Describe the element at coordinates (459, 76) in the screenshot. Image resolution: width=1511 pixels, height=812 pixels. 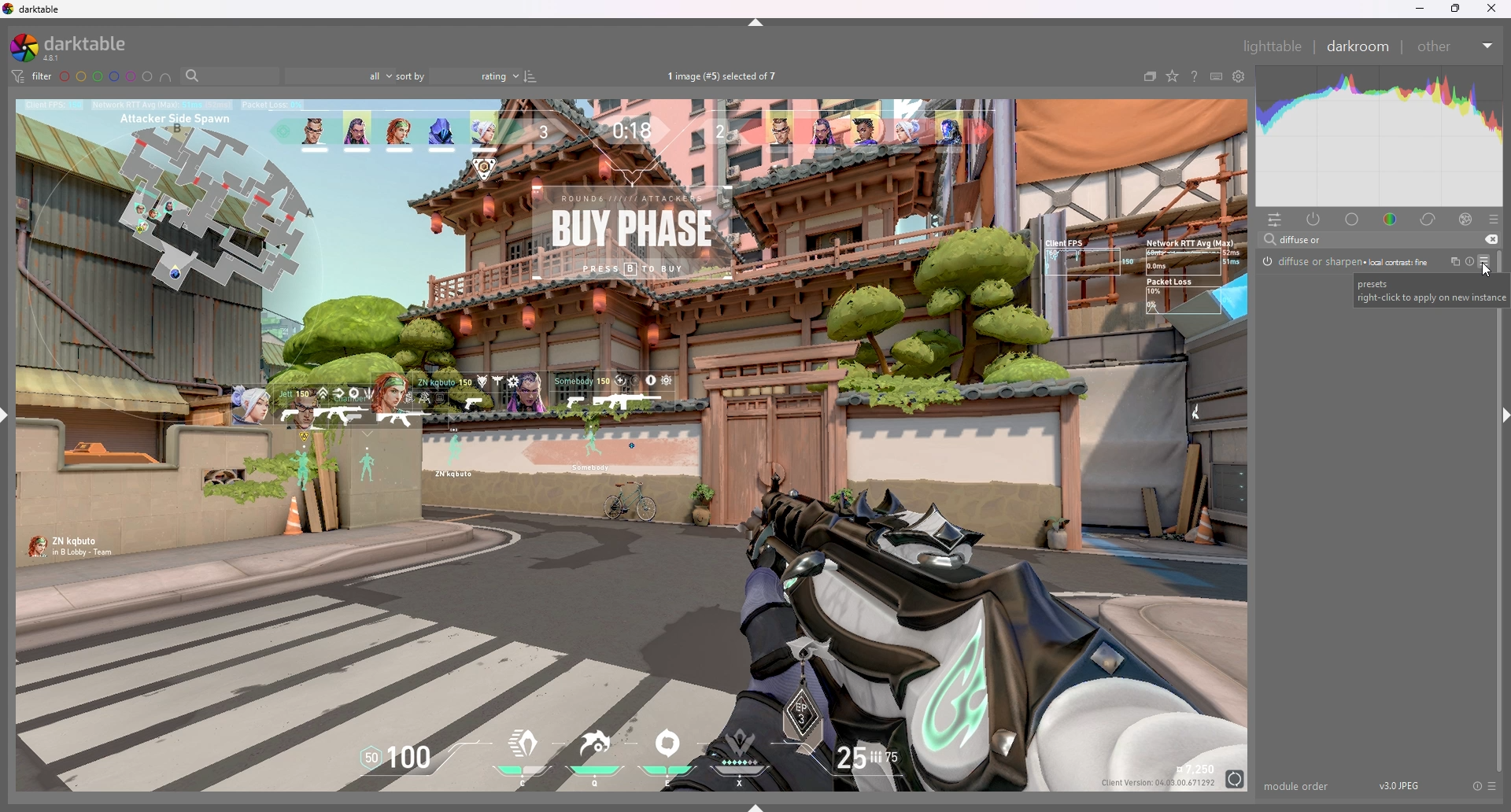
I see `sort by` at that location.